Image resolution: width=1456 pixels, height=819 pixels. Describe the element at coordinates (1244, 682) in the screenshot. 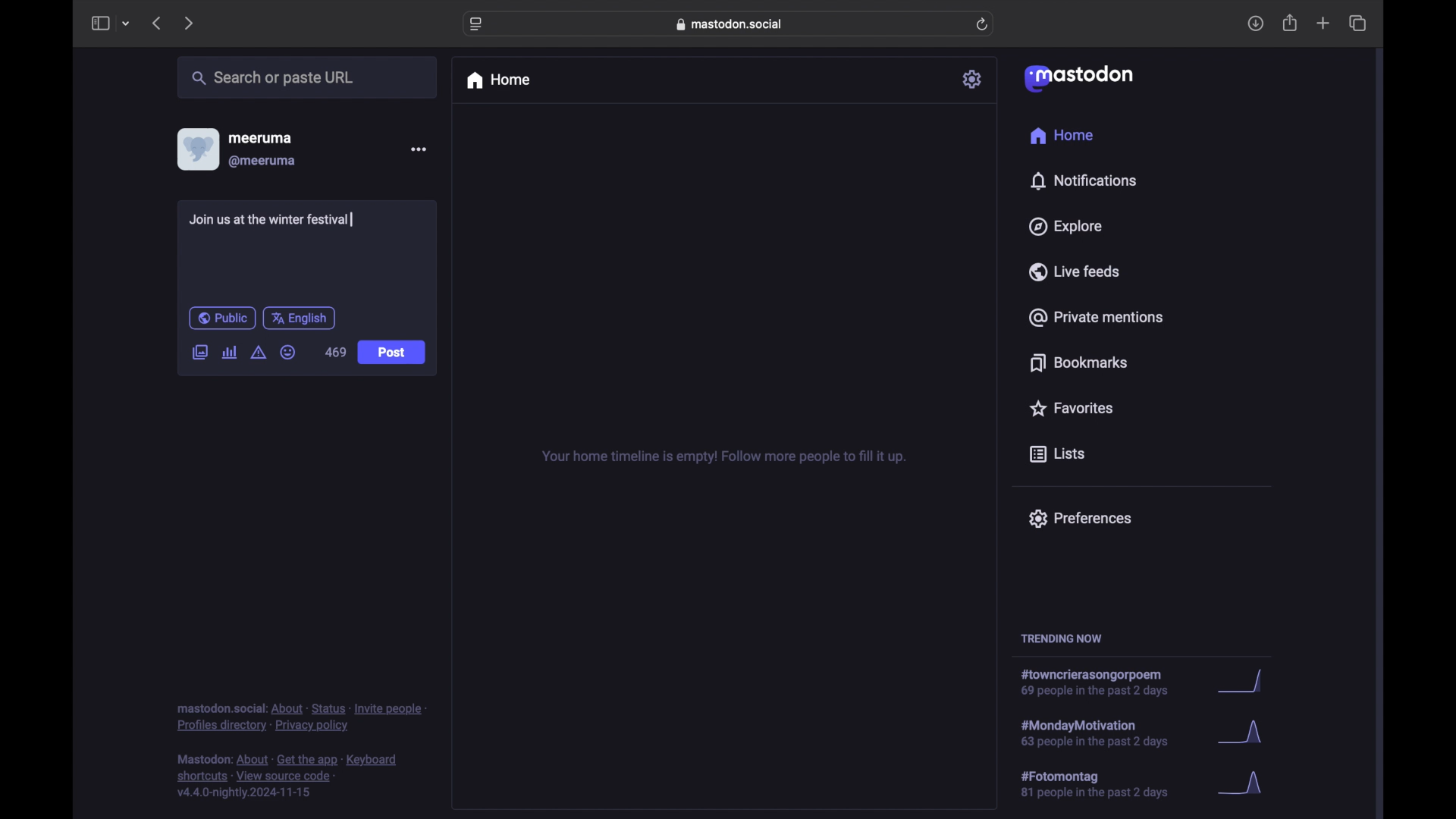

I see `graph` at that location.